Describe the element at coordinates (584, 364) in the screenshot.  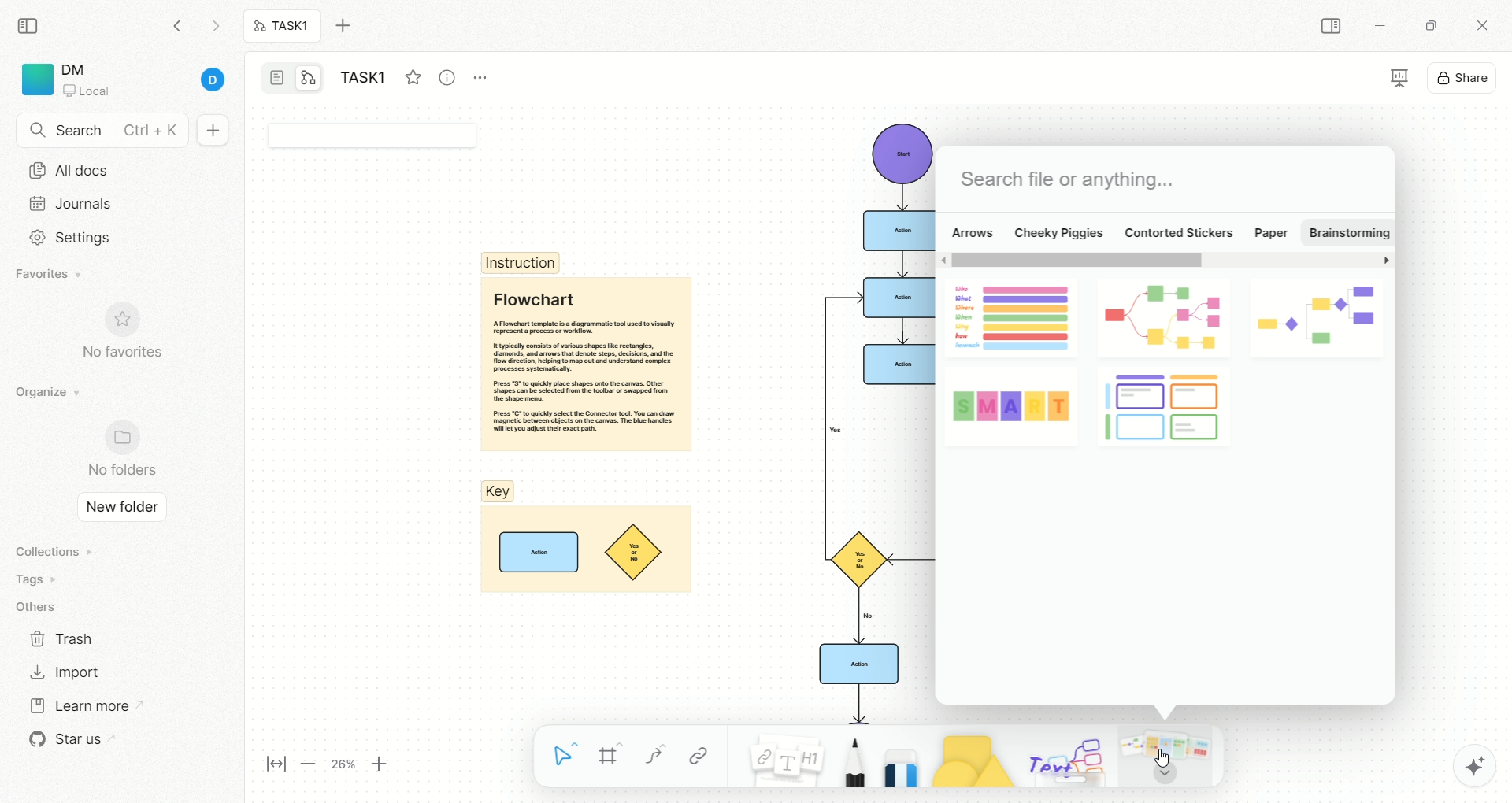
I see `flowchart instructions` at that location.